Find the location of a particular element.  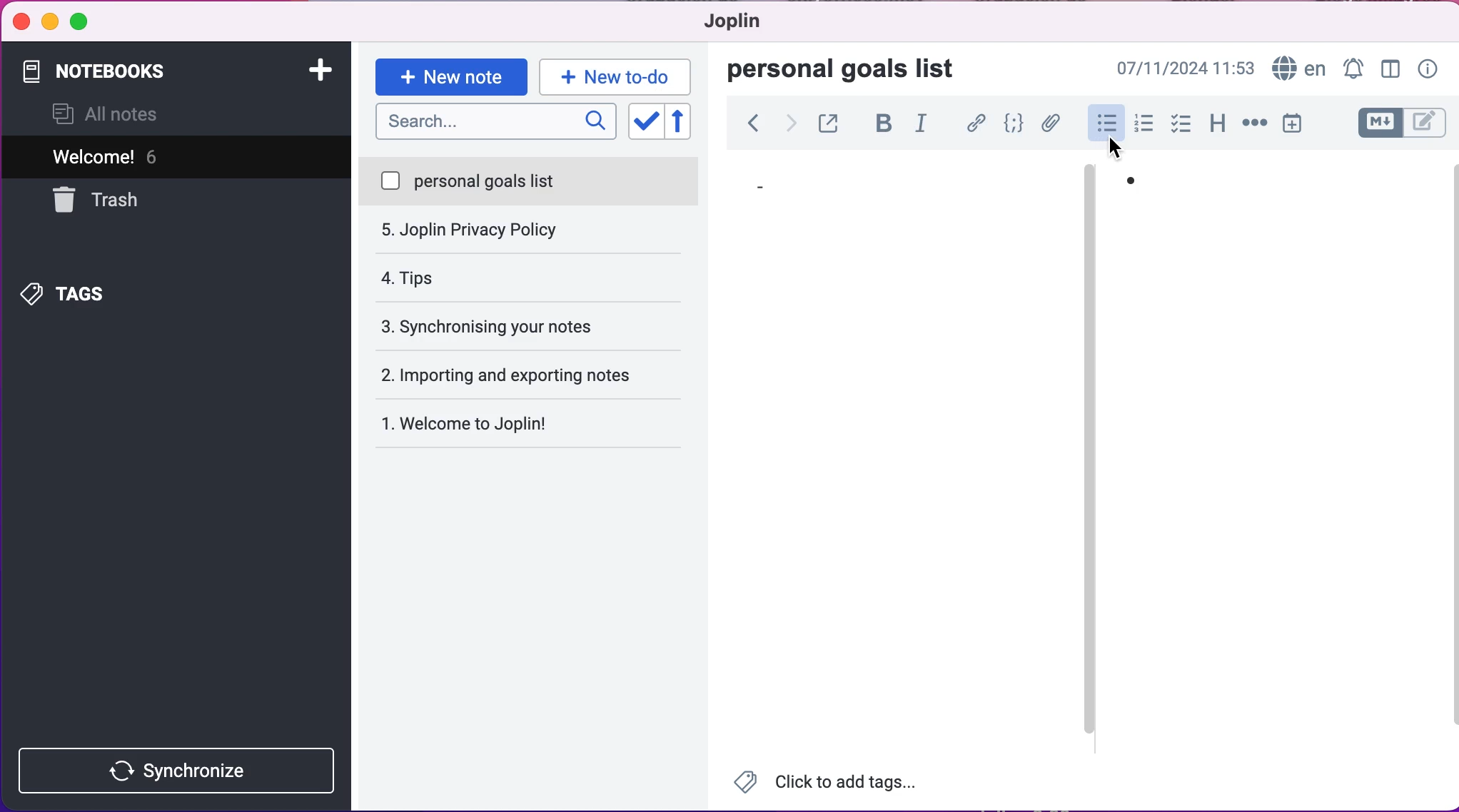

insert time is located at coordinates (1298, 126).